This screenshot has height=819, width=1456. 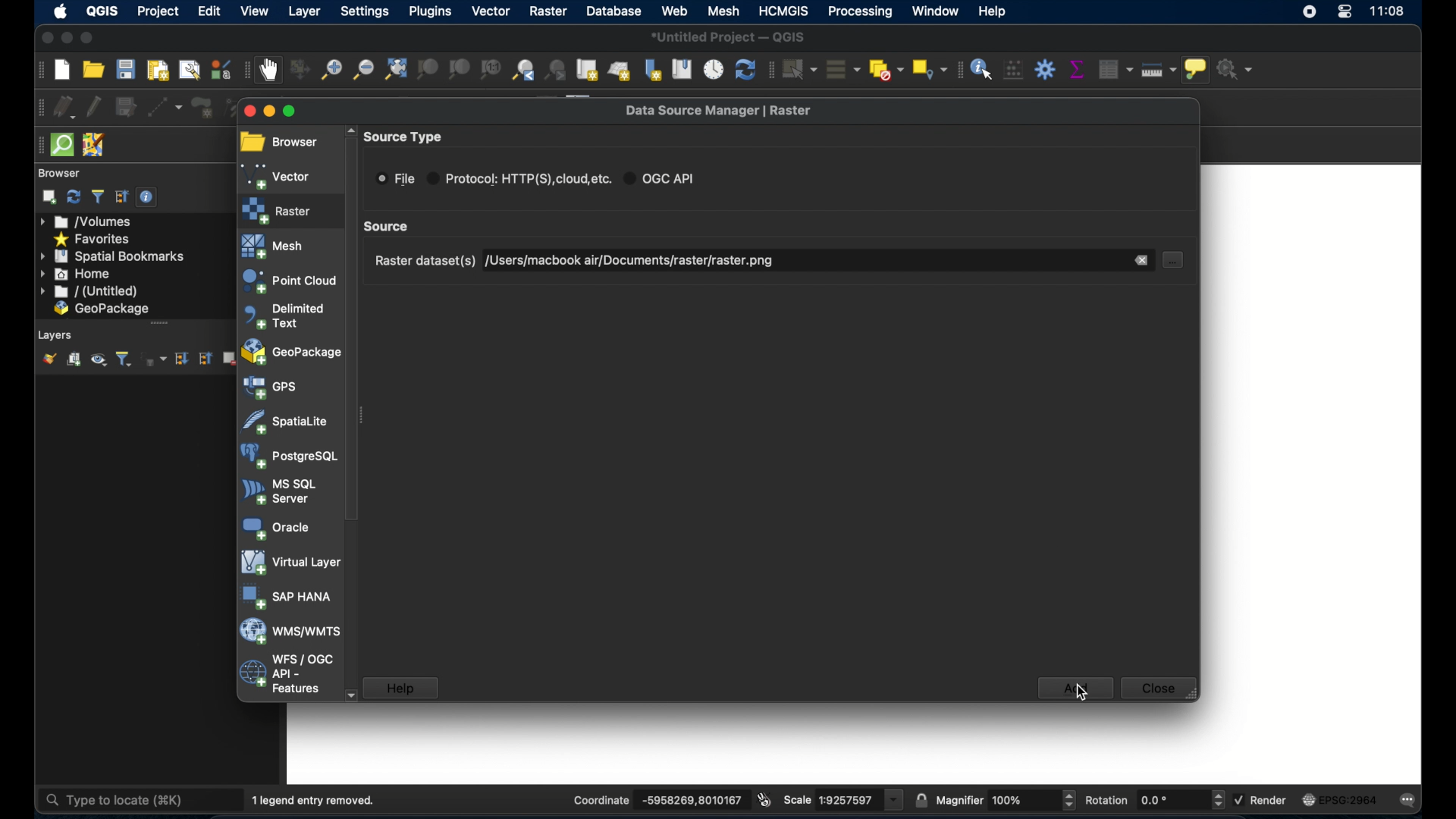 What do you see at coordinates (599, 799) in the screenshot?
I see `coordinate` at bounding box center [599, 799].